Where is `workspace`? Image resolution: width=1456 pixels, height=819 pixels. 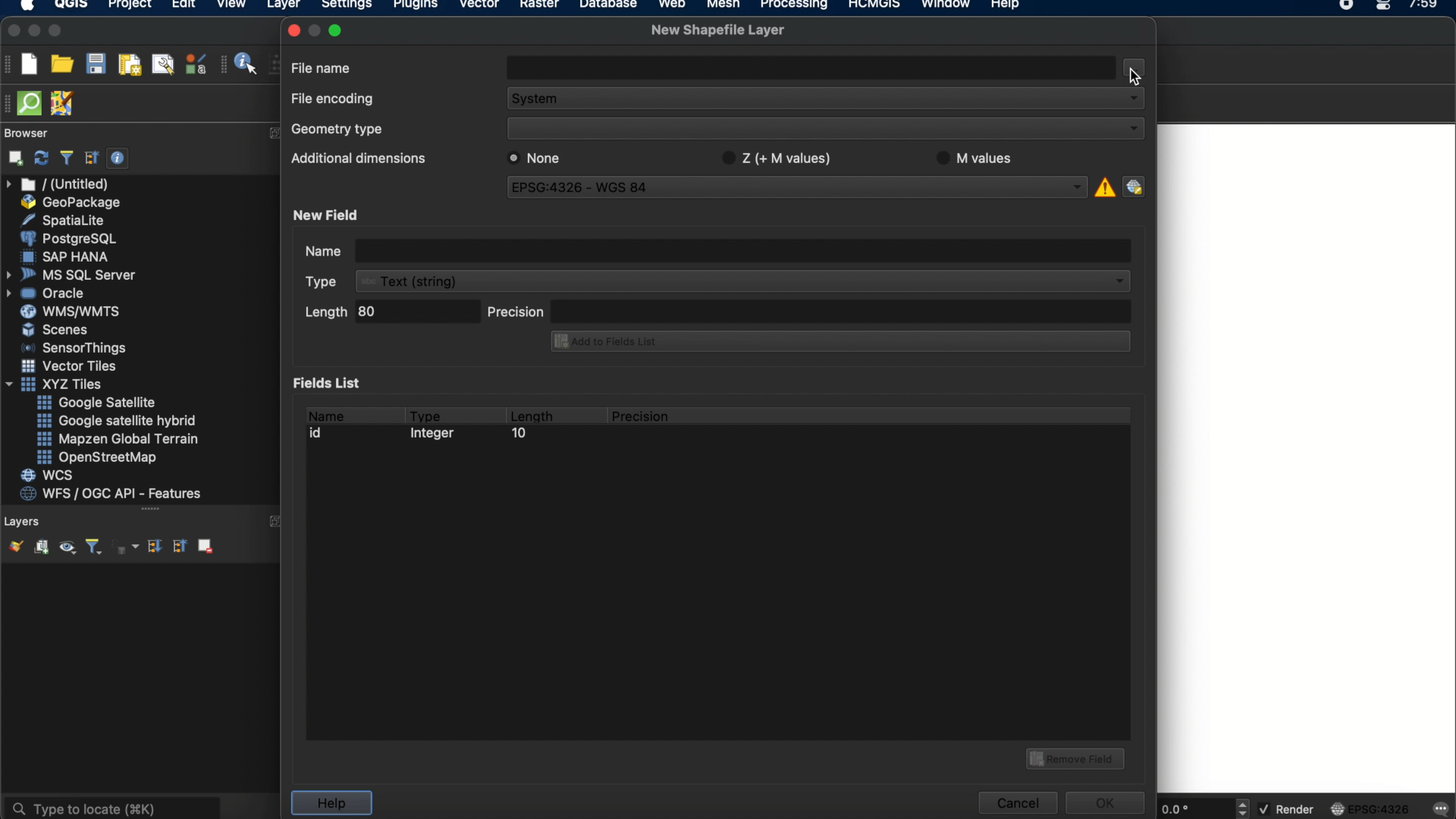
workspace is located at coordinates (1308, 458).